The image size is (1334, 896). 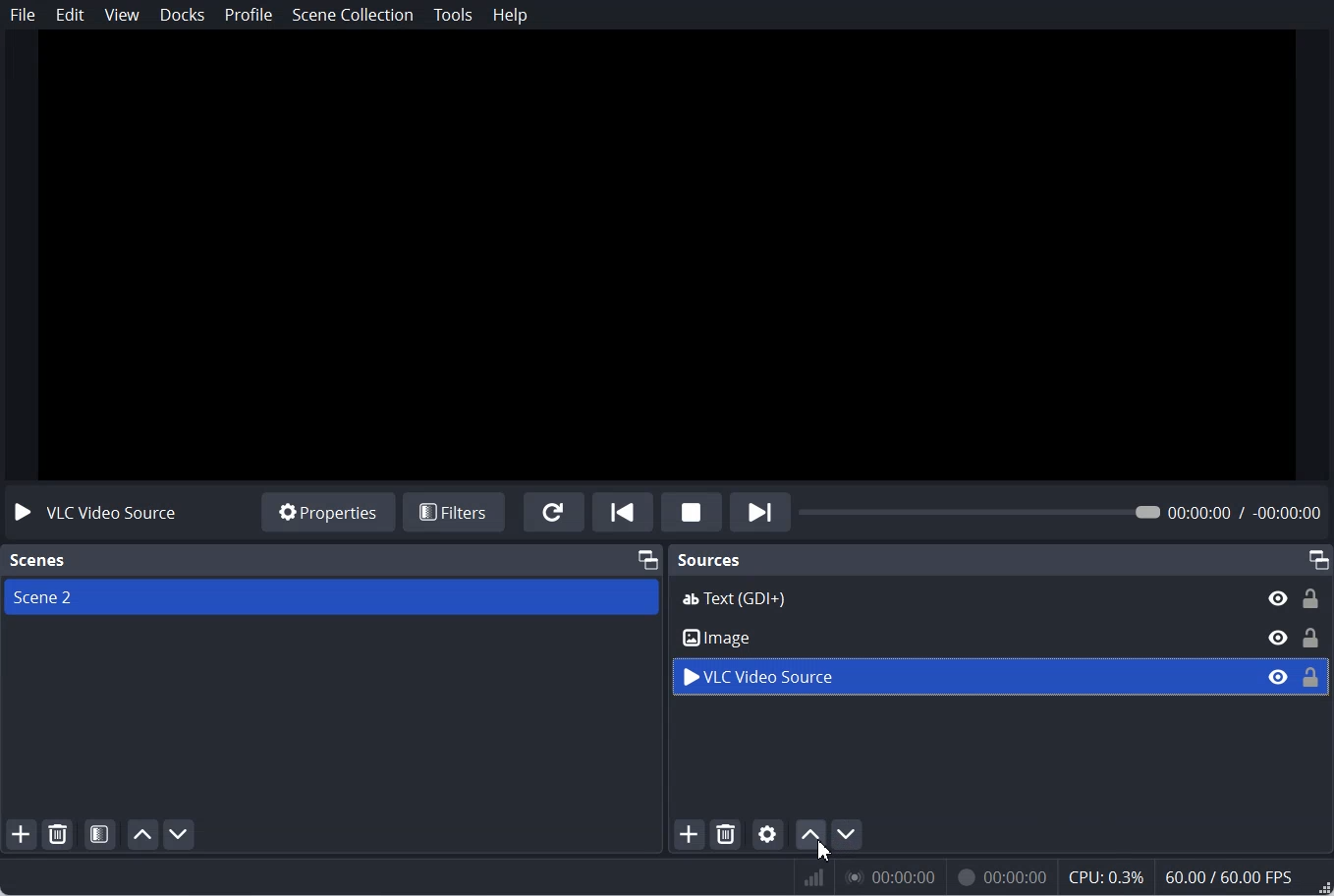 What do you see at coordinates (23, 15) in the screenshot?
I see `File` at bounding box center [23, 15].